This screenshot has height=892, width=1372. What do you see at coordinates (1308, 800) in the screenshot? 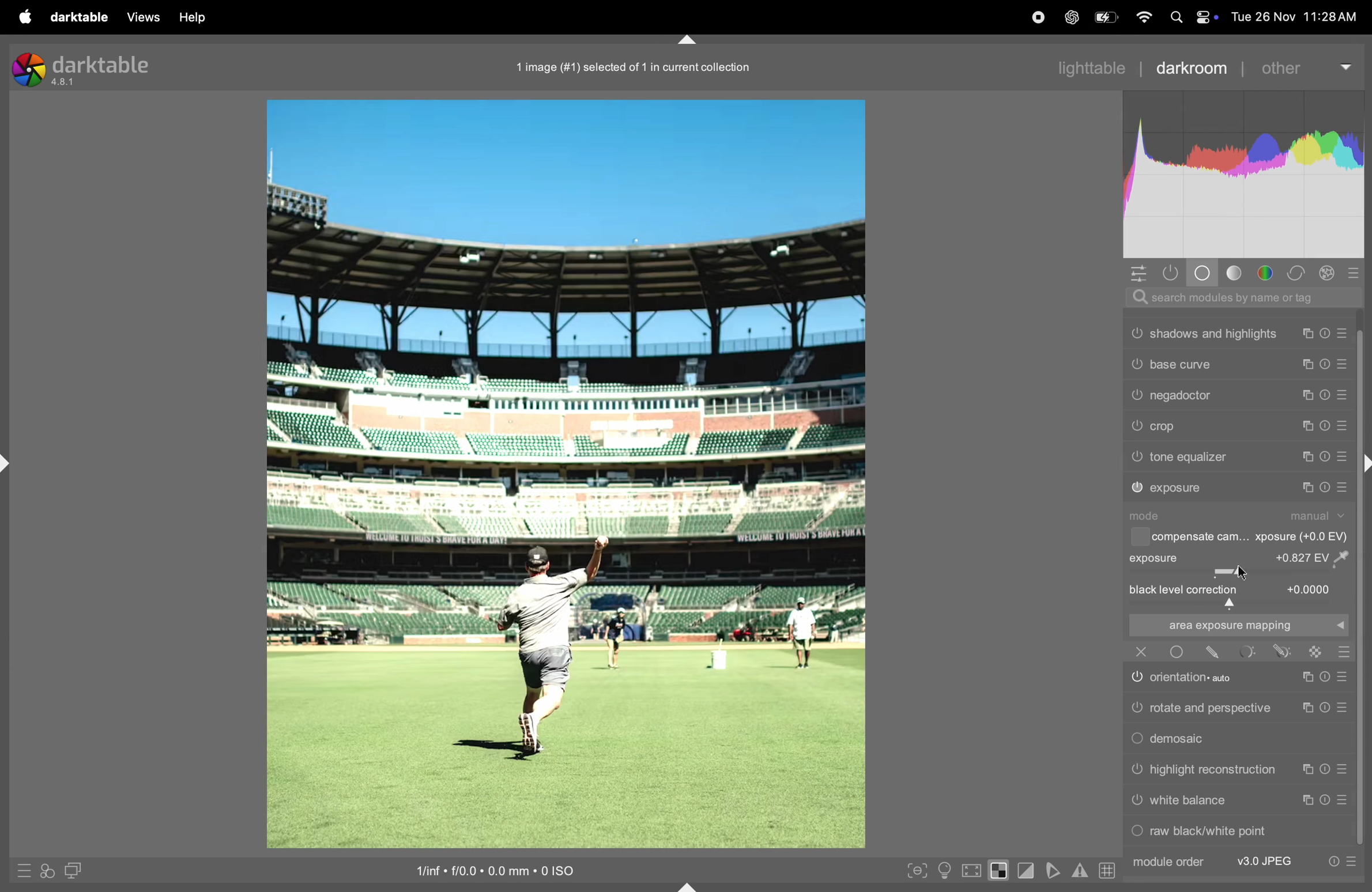
I see `copy` at bounding box center [1308, 800].